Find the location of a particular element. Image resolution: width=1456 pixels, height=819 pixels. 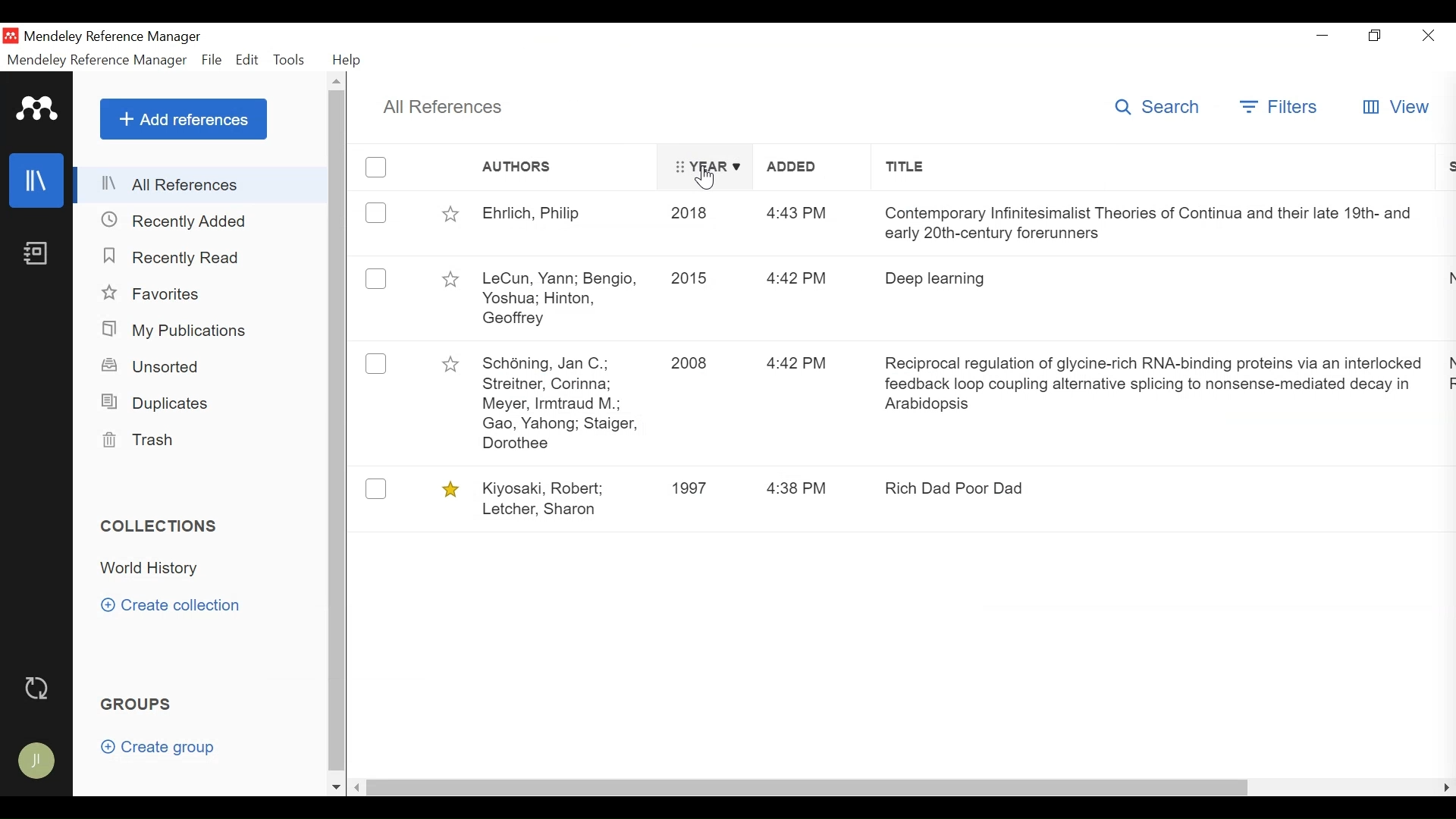

Horizontal Scroll bar is located at coordinates (814, 786).